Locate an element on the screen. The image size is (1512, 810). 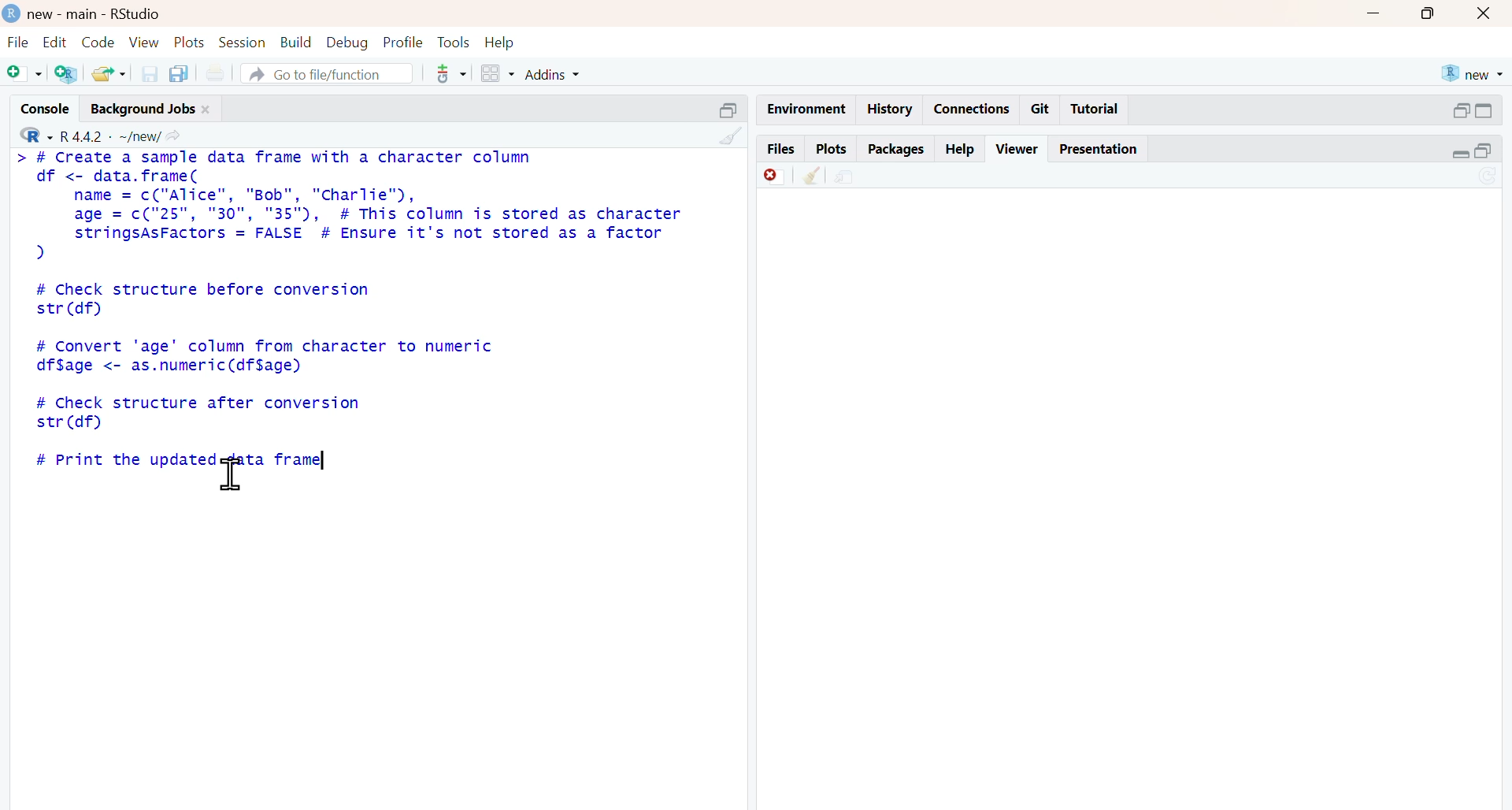
share is located at coordinates (845, 177).